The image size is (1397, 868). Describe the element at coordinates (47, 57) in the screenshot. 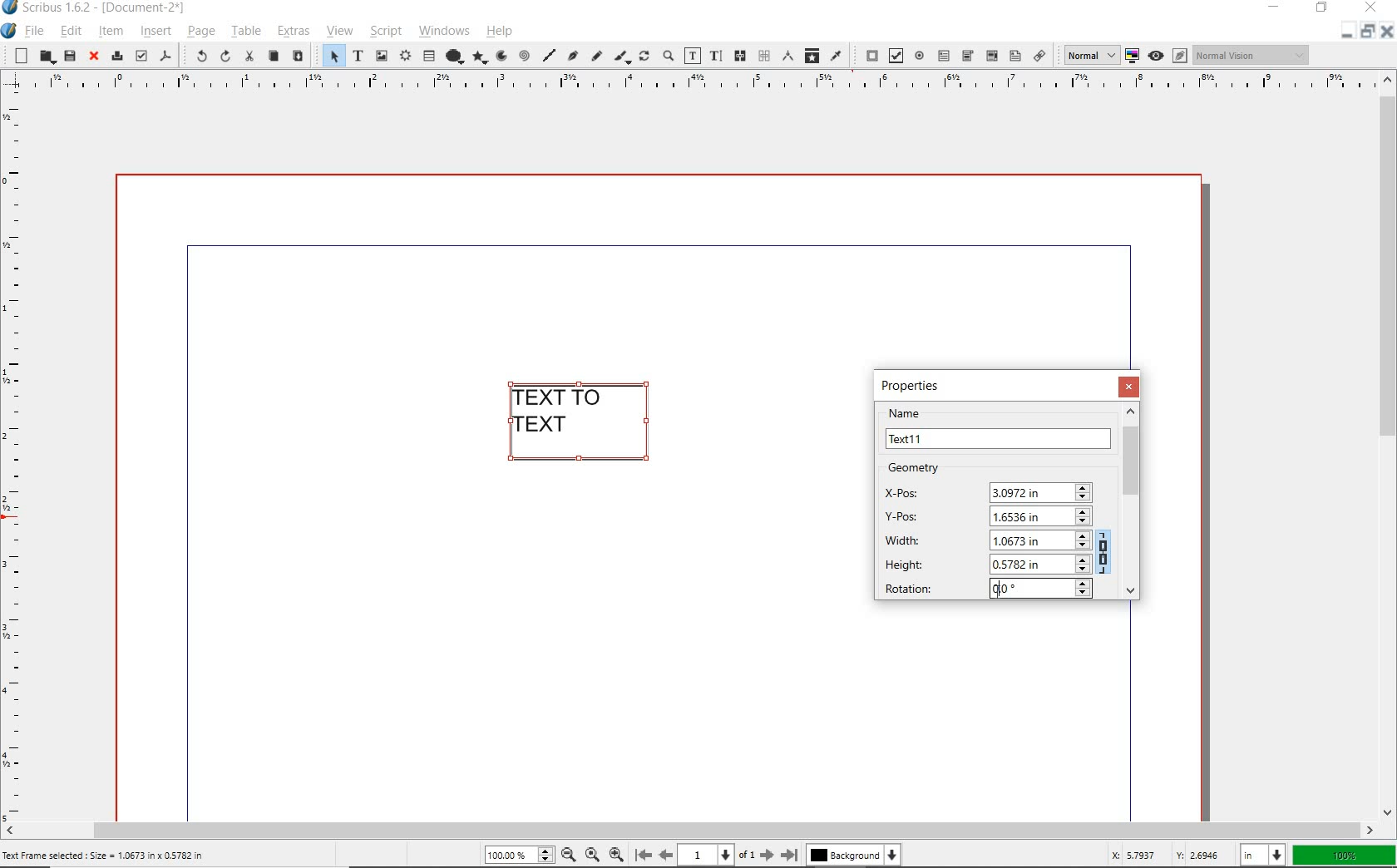

I see `open` at that location.